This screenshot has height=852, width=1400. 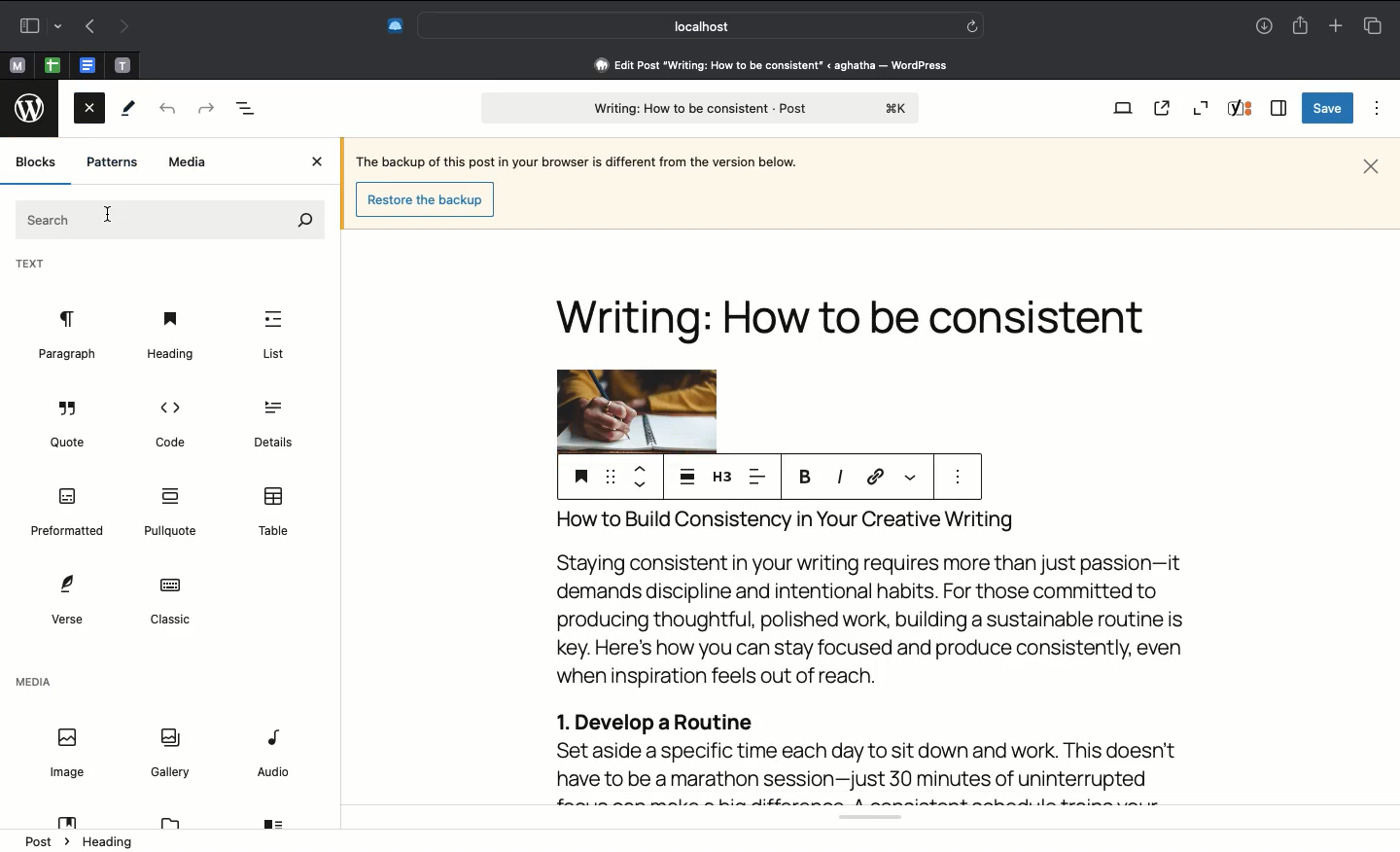 What do you see at coordinates (247, 109) in the screenshot?
I see `Document overview` at bounding box center [247, 109].